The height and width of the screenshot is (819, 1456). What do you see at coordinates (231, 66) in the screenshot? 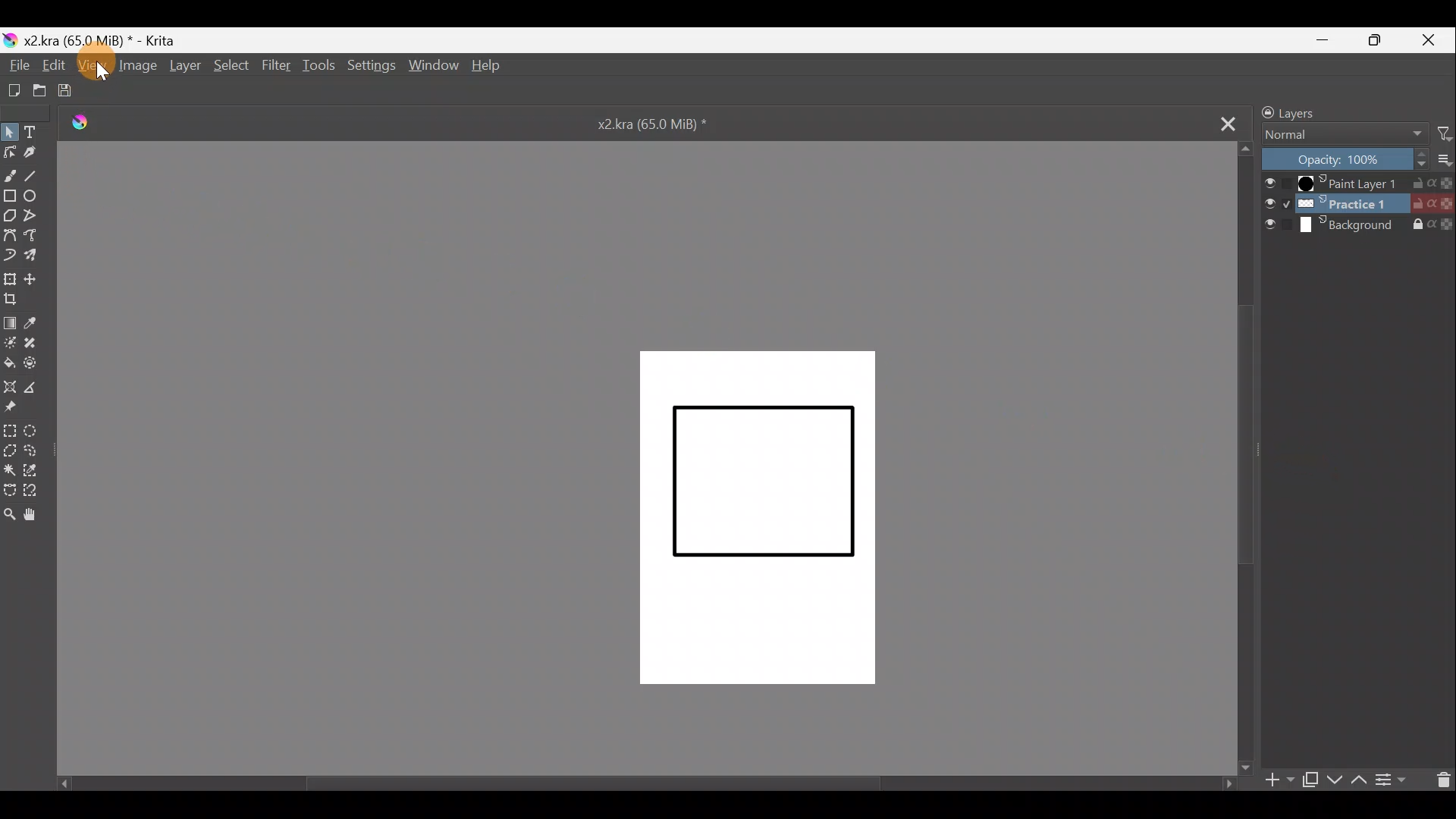
I see `Select` at bounding box center [231, 66].